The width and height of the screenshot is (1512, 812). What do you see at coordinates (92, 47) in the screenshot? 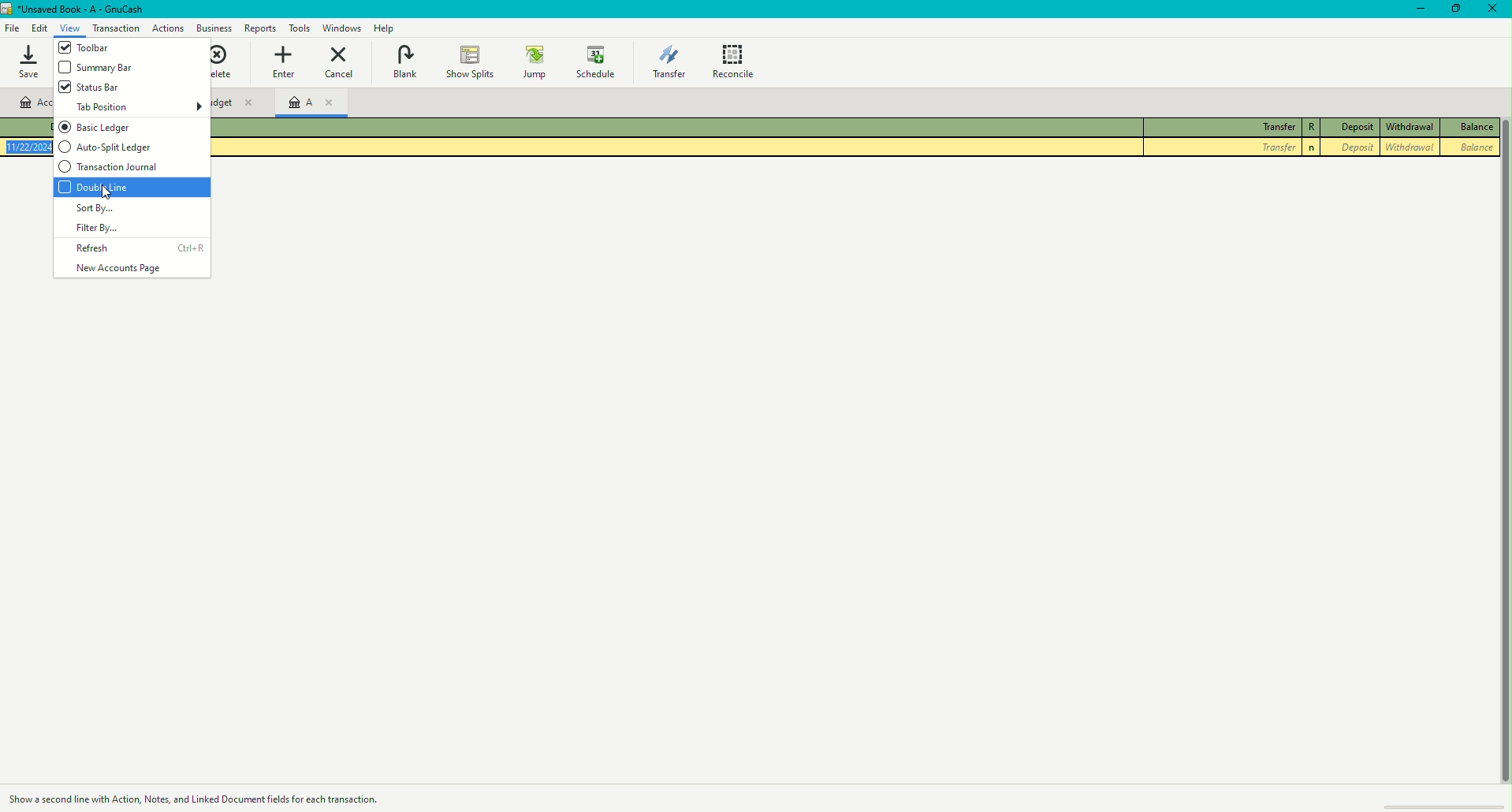
I see `Toolbar` at bounding box center [92, 47].